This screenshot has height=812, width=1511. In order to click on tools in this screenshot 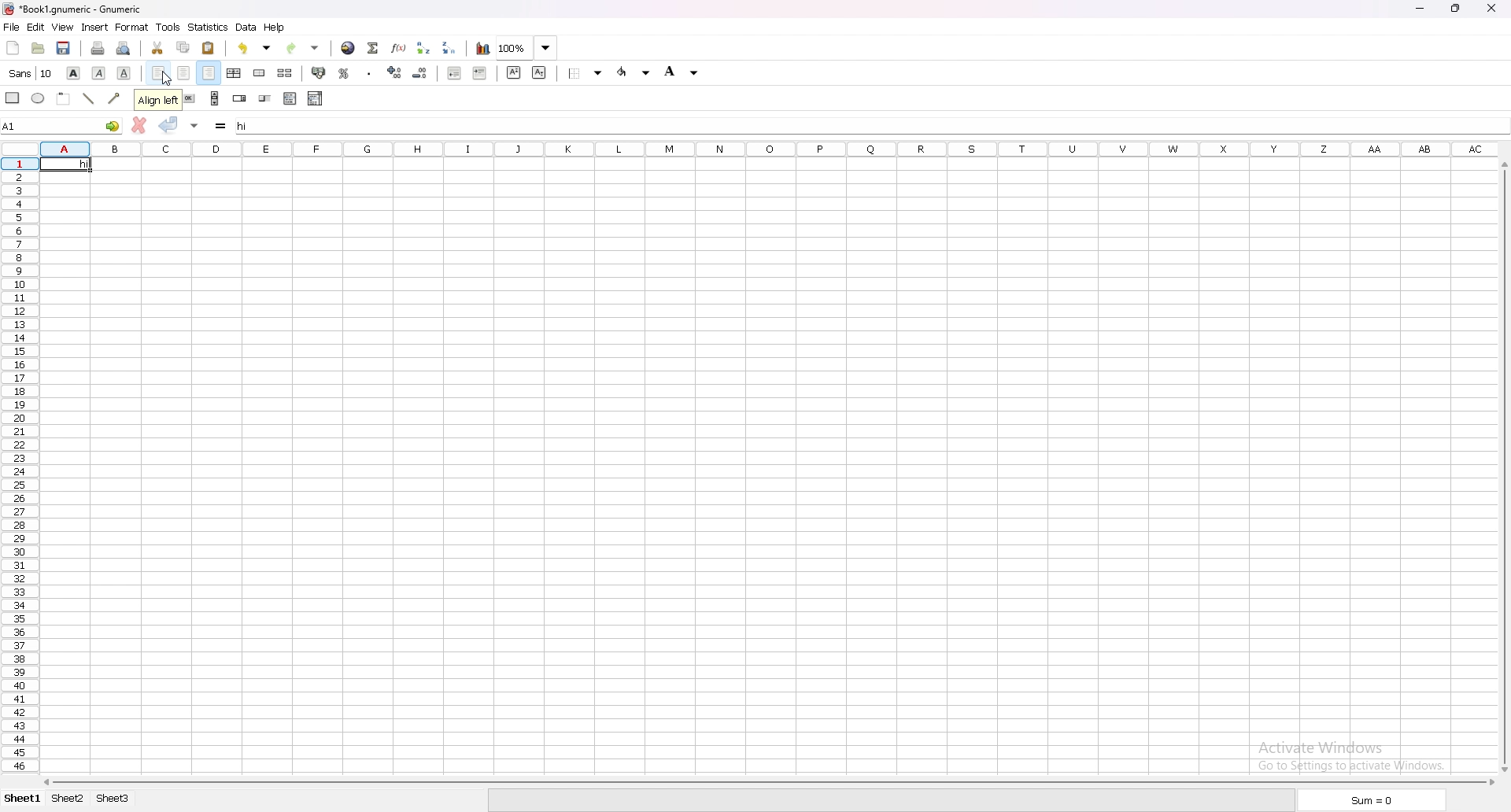, I will do `click(168, 28)`.